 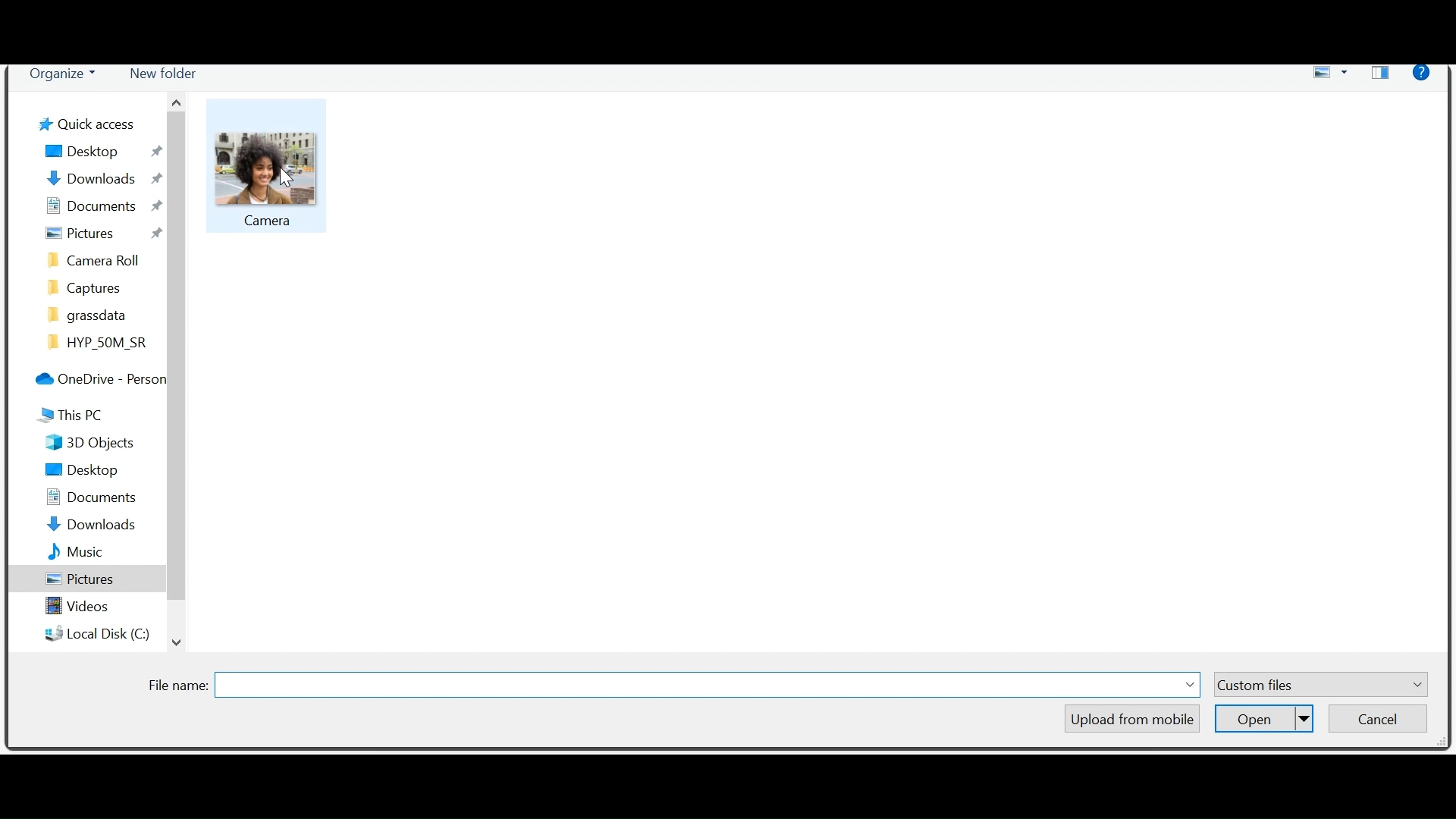 I want to click on Organize, so click(x=61, y=75).